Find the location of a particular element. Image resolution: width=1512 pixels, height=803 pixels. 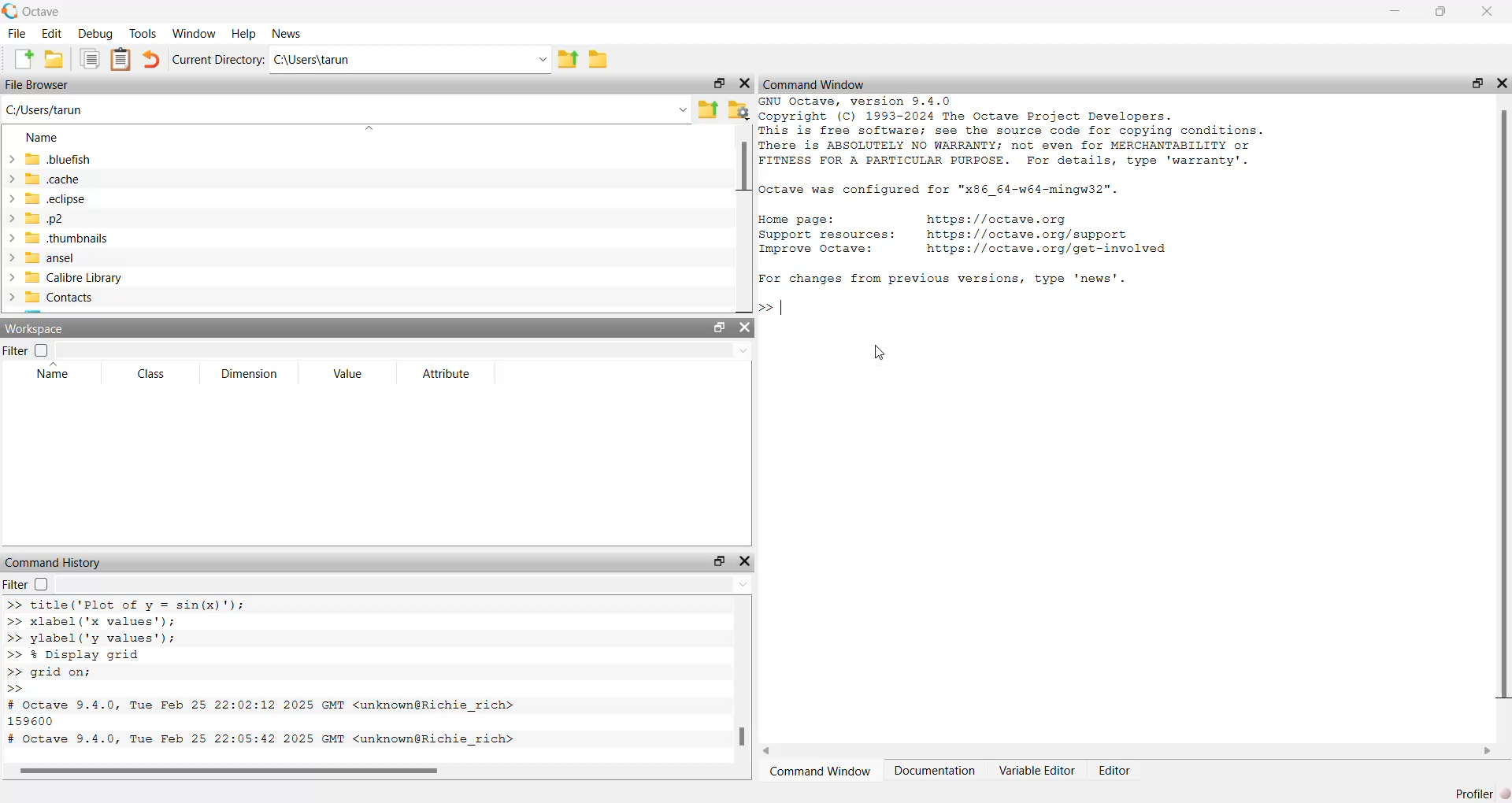

Current directory is located at coordinates (220, 60).